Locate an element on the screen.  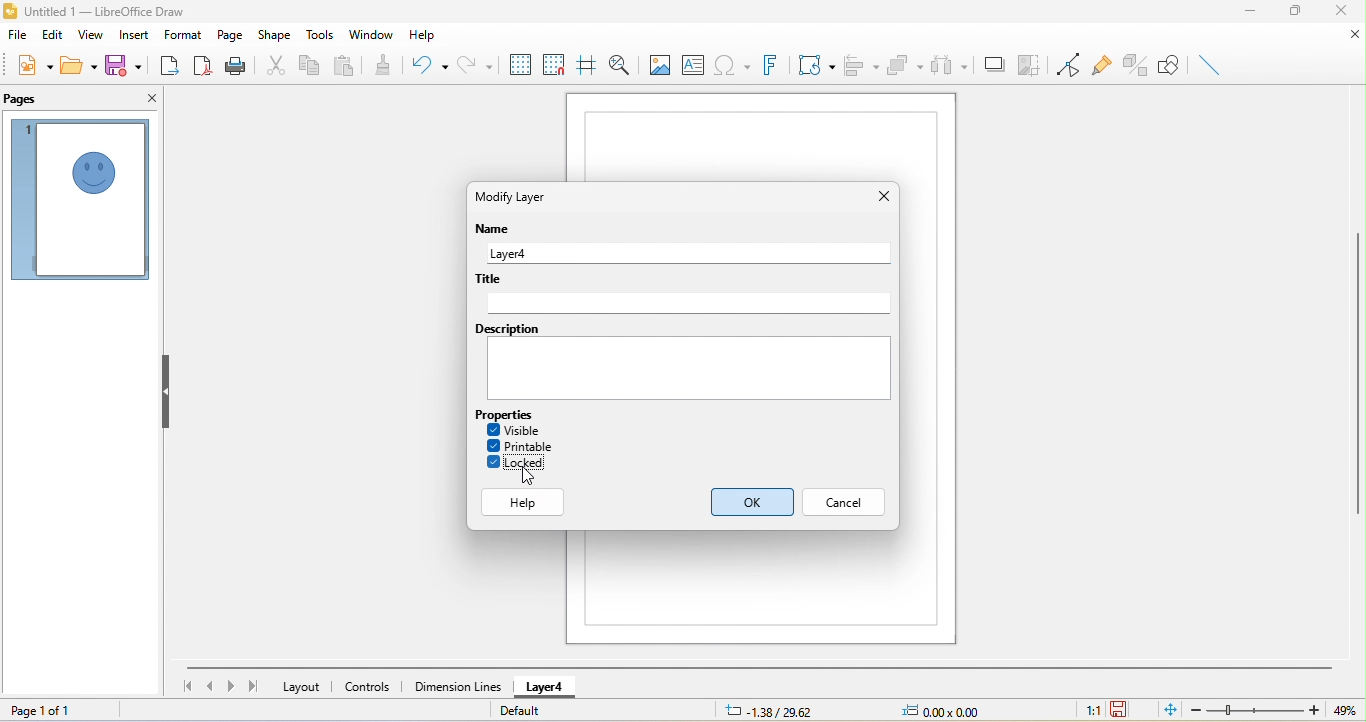
OK is located at coordinates (746, 505).